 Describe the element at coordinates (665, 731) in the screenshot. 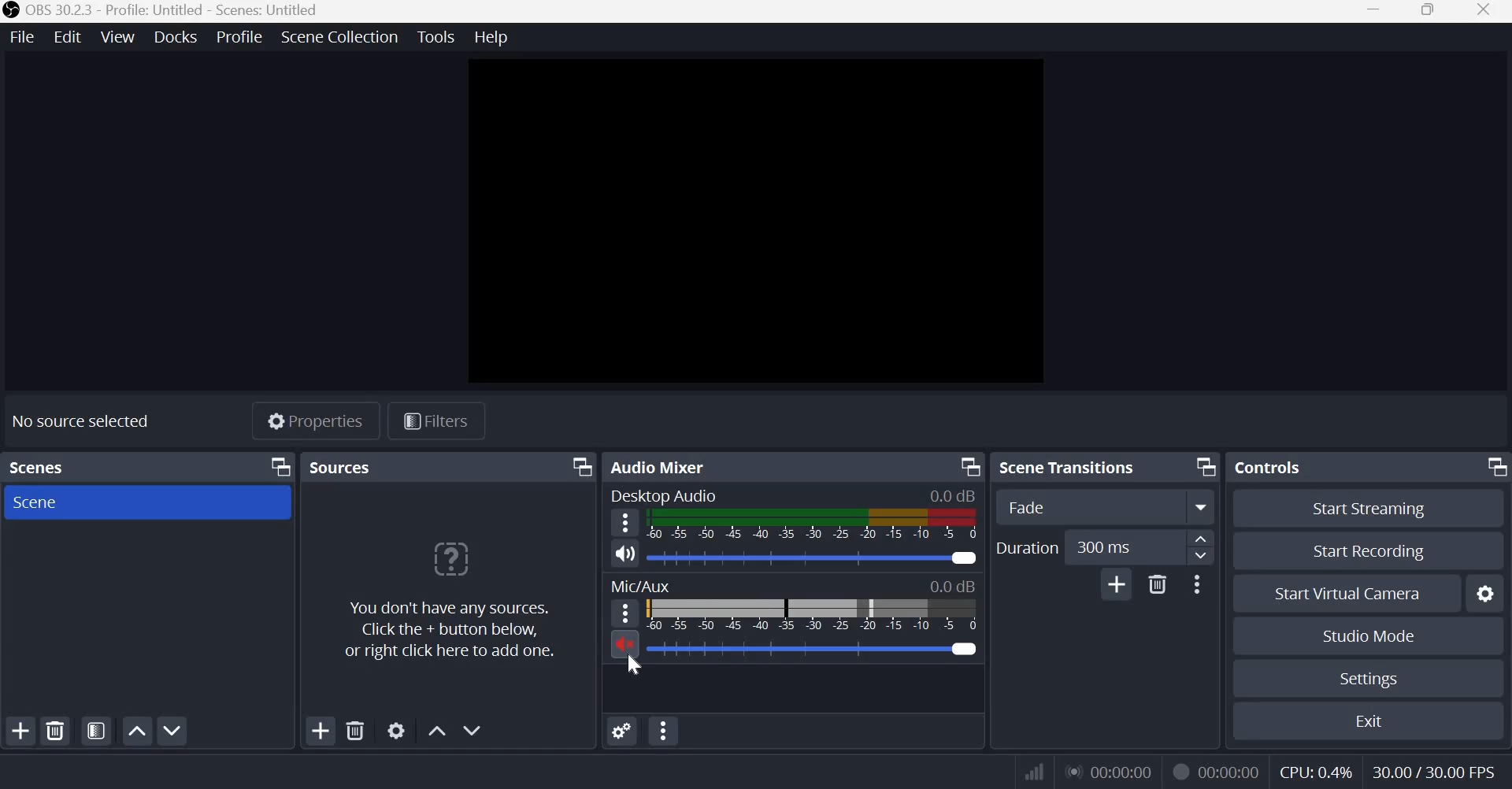

I see `advanced audio properties` at that location.